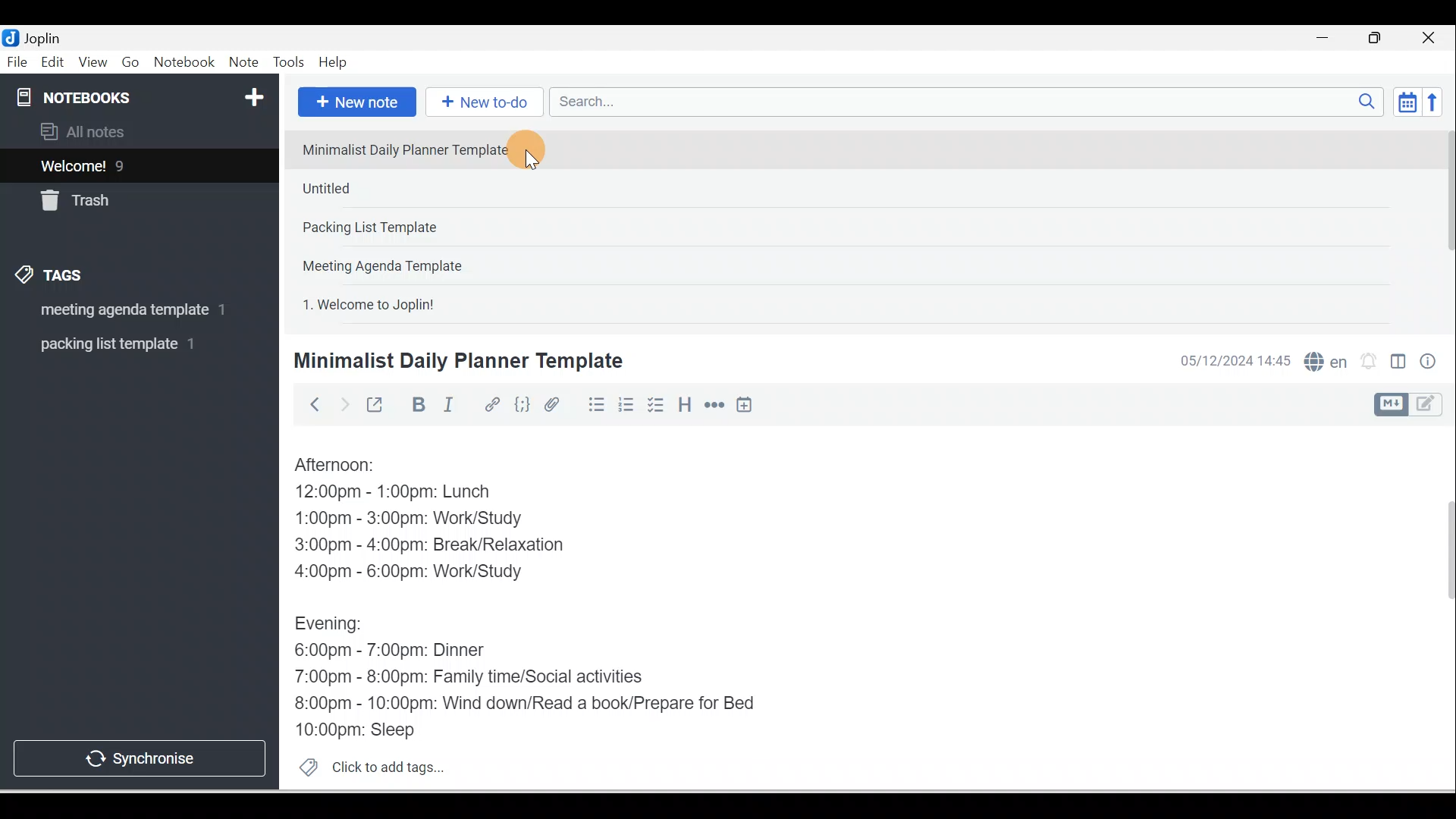 This screenshot has height=819, width=1456. I want to click on Numbered list, so click(626, 404).